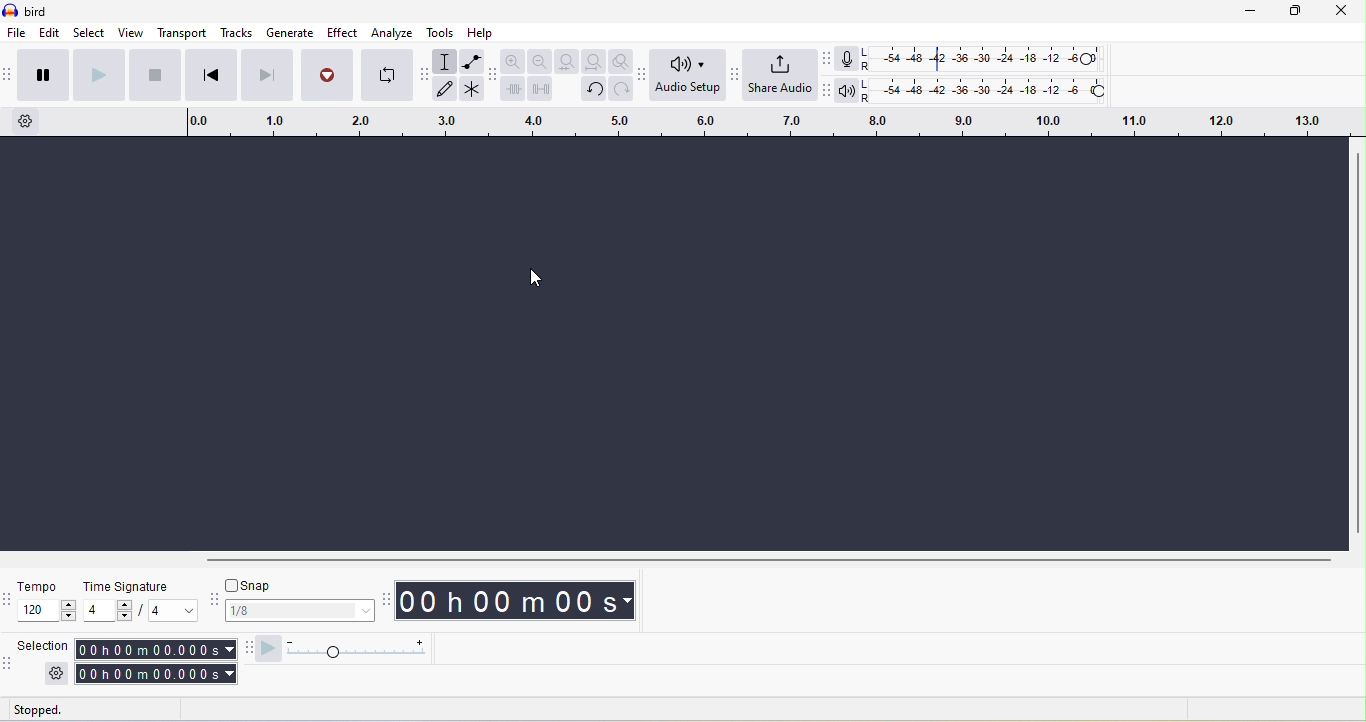 Image resolution: width=1366 pixels, height=722 pixels. I want to click on tools, so click(438, 34).